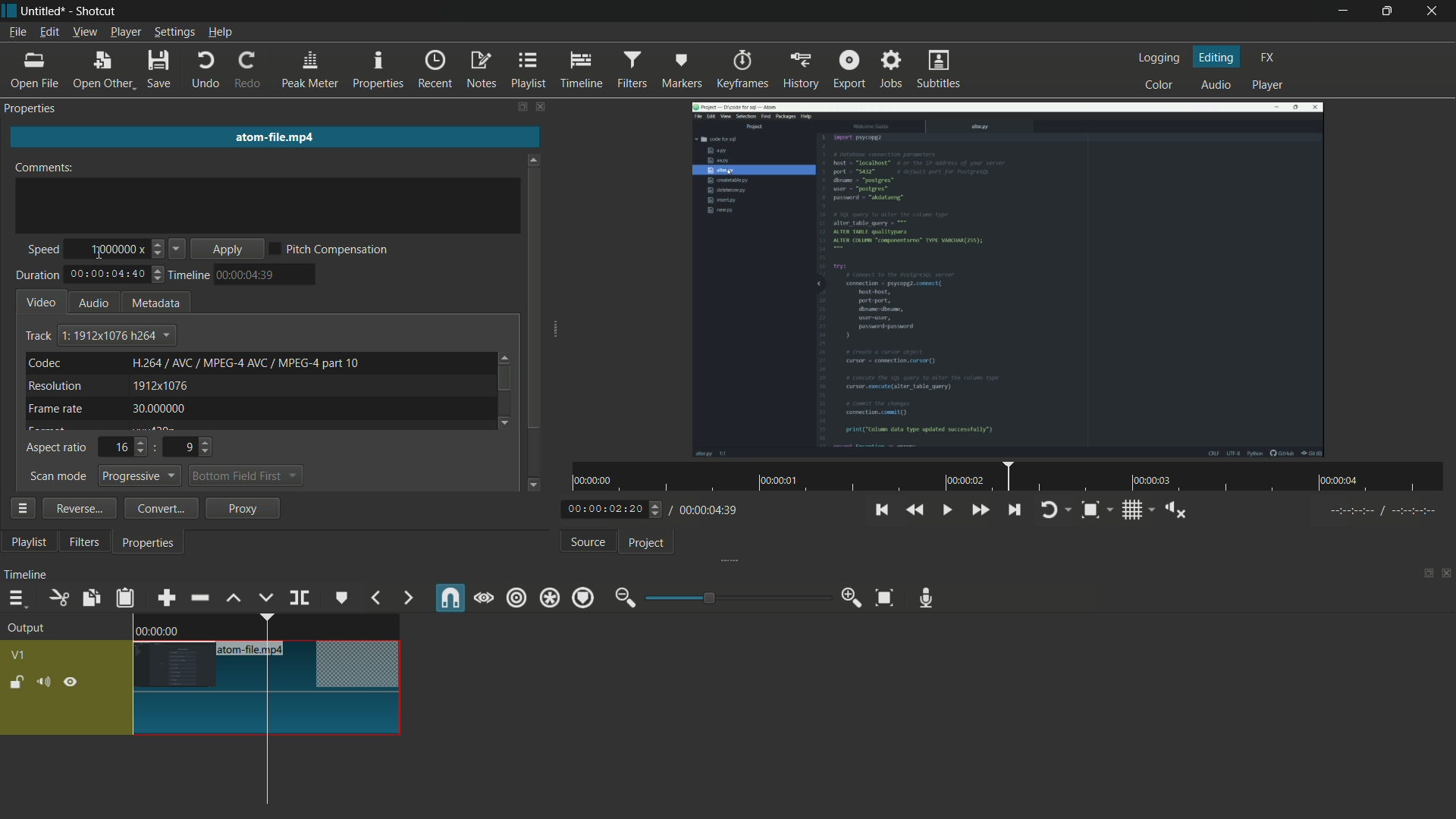 This screenshot has width=1456, height=819. Describe the element at coordinates (1267, 58) in the screenshot. I see `fx` at that location.